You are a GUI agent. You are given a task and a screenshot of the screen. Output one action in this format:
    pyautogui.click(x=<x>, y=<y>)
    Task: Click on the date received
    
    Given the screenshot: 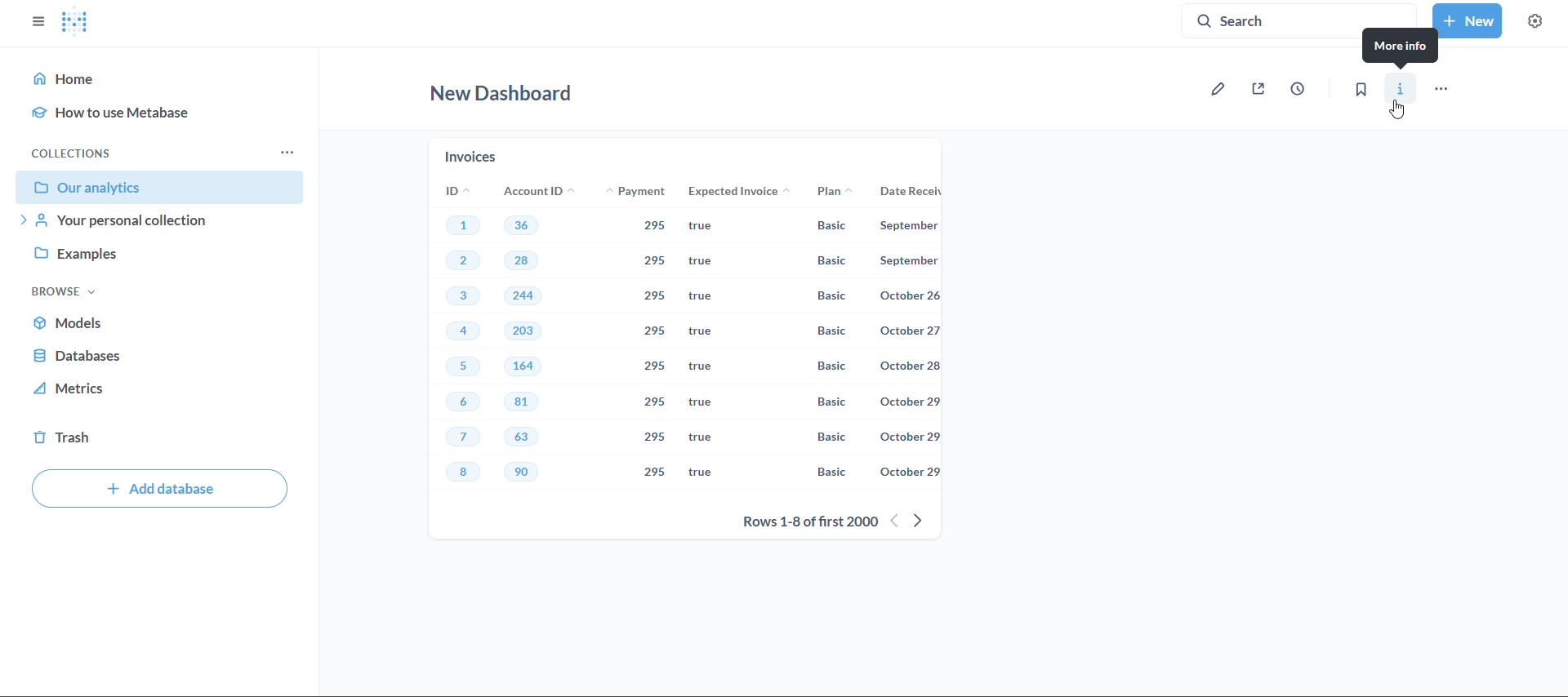 What is the action you would take?
    pyautogui.click(x=915, y=194)
    